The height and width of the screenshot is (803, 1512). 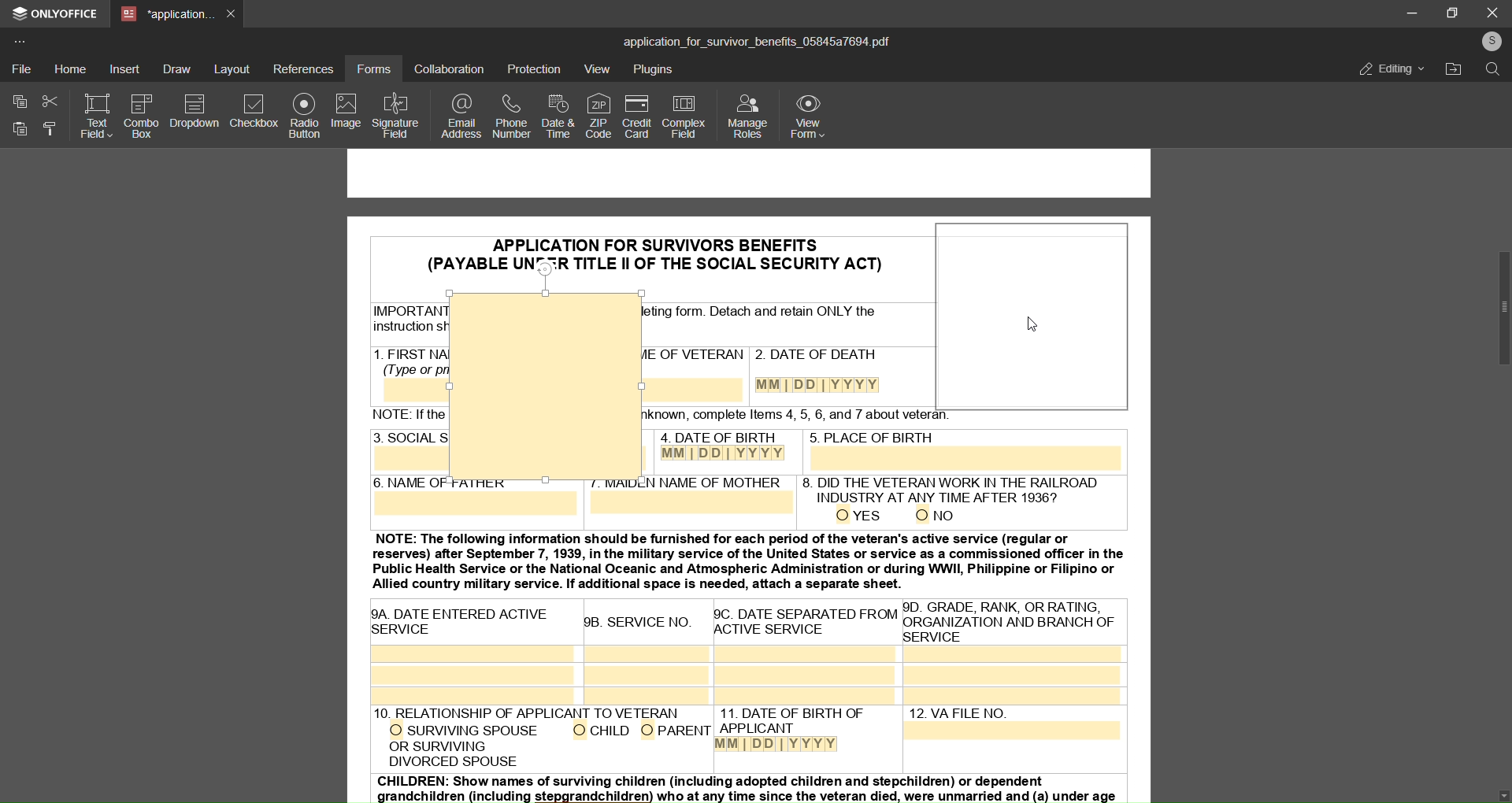 I want to click on references, so click(x=304, y=68).